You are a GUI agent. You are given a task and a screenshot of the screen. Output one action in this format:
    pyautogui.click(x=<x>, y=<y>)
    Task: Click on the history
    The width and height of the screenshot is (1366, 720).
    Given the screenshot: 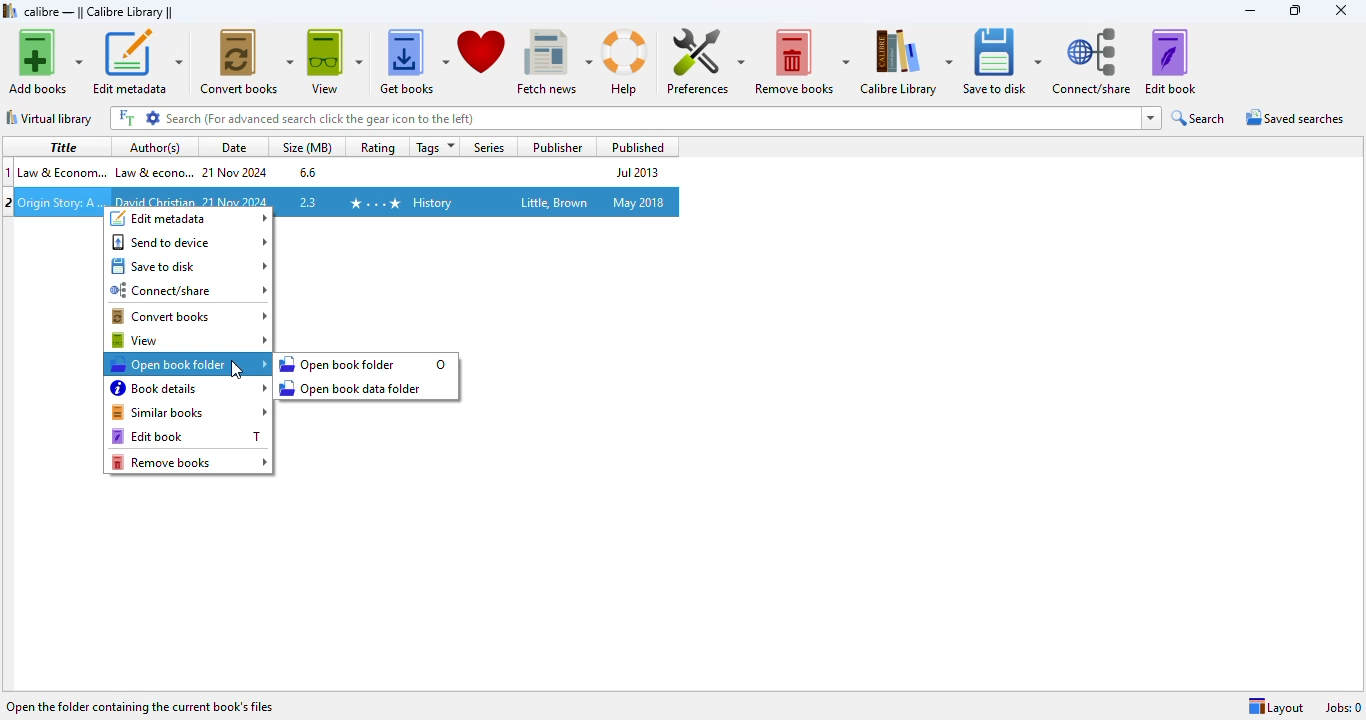 What is the action you would take?
    pyautogui.click(x=432, y=203)
    